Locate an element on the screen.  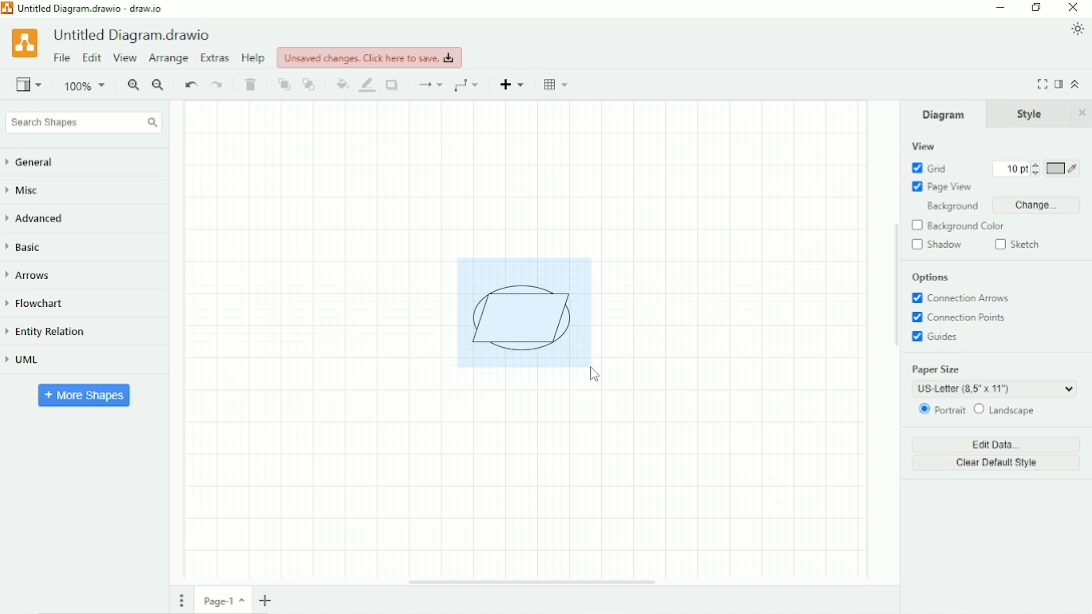
Advanced is located at coordinates (42, 218).